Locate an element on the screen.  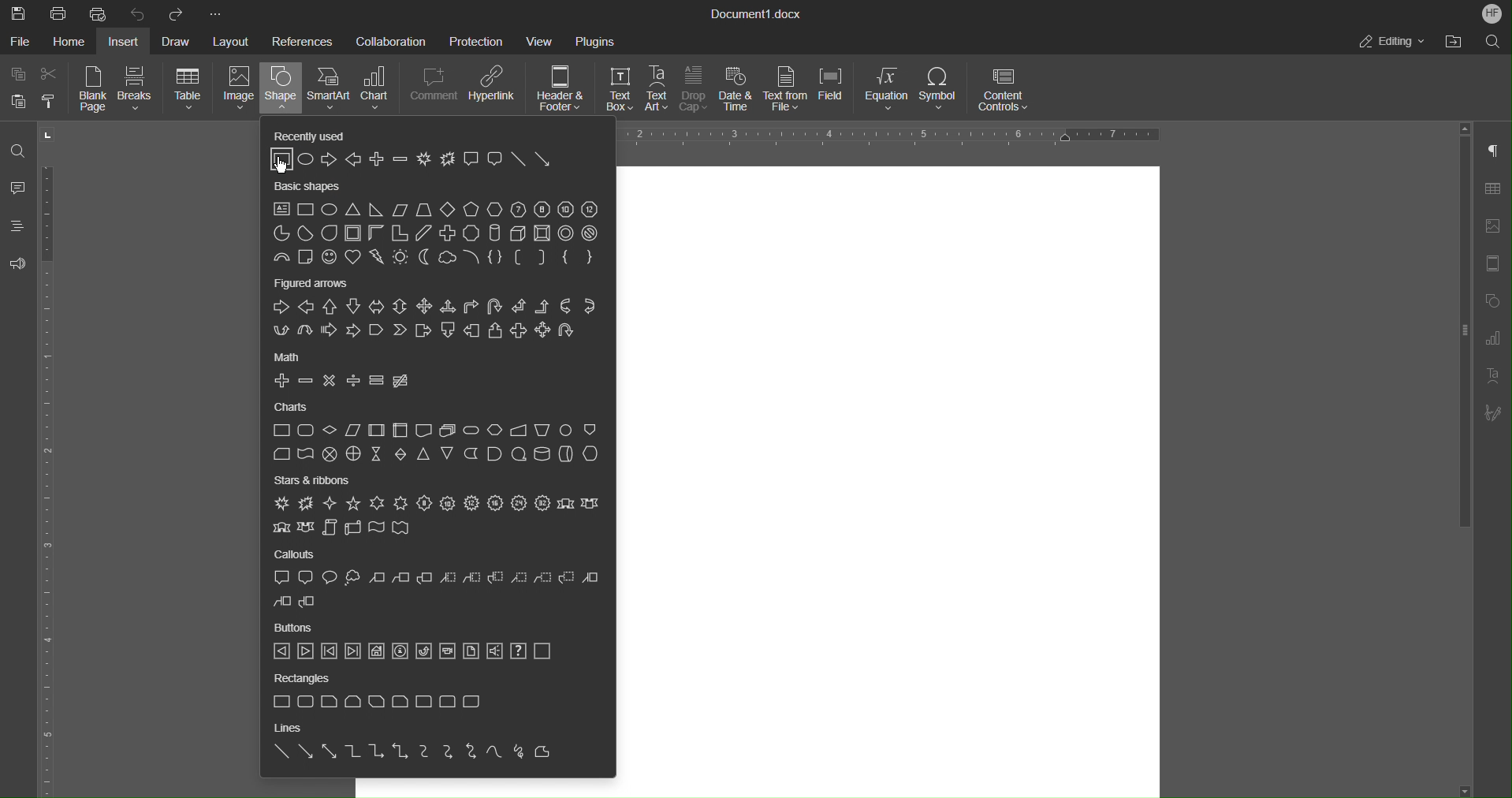
Undo is located at coordinates (138, 13).